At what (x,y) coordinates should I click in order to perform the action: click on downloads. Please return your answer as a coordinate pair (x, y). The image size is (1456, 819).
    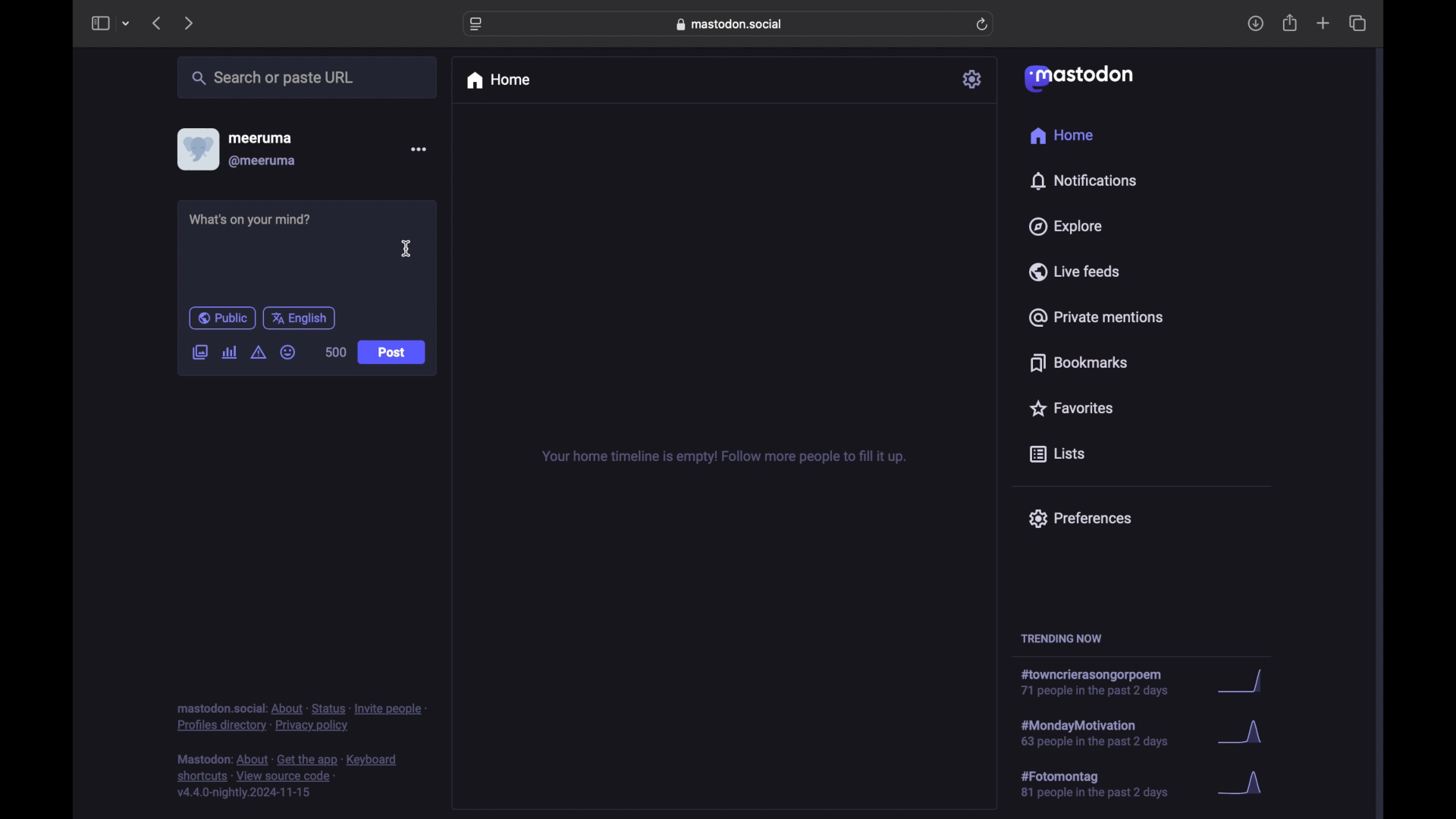
    Looking at the image, I should click on (1255, 24).